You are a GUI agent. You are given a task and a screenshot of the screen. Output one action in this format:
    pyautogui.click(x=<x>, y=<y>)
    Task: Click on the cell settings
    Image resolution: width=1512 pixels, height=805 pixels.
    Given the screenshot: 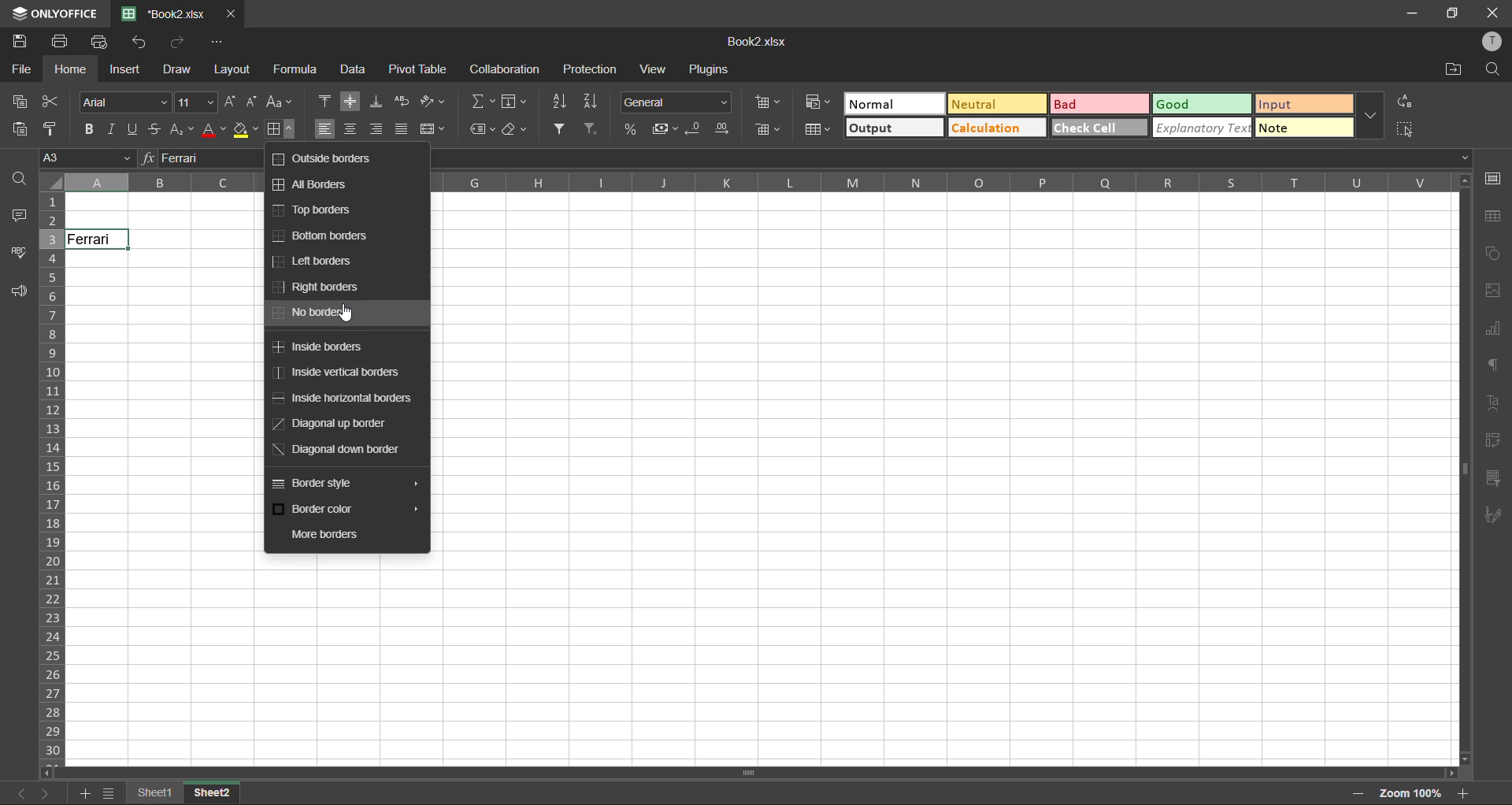 What is the action you would take?
    pyautogui.click(x=1491, y=180)
    